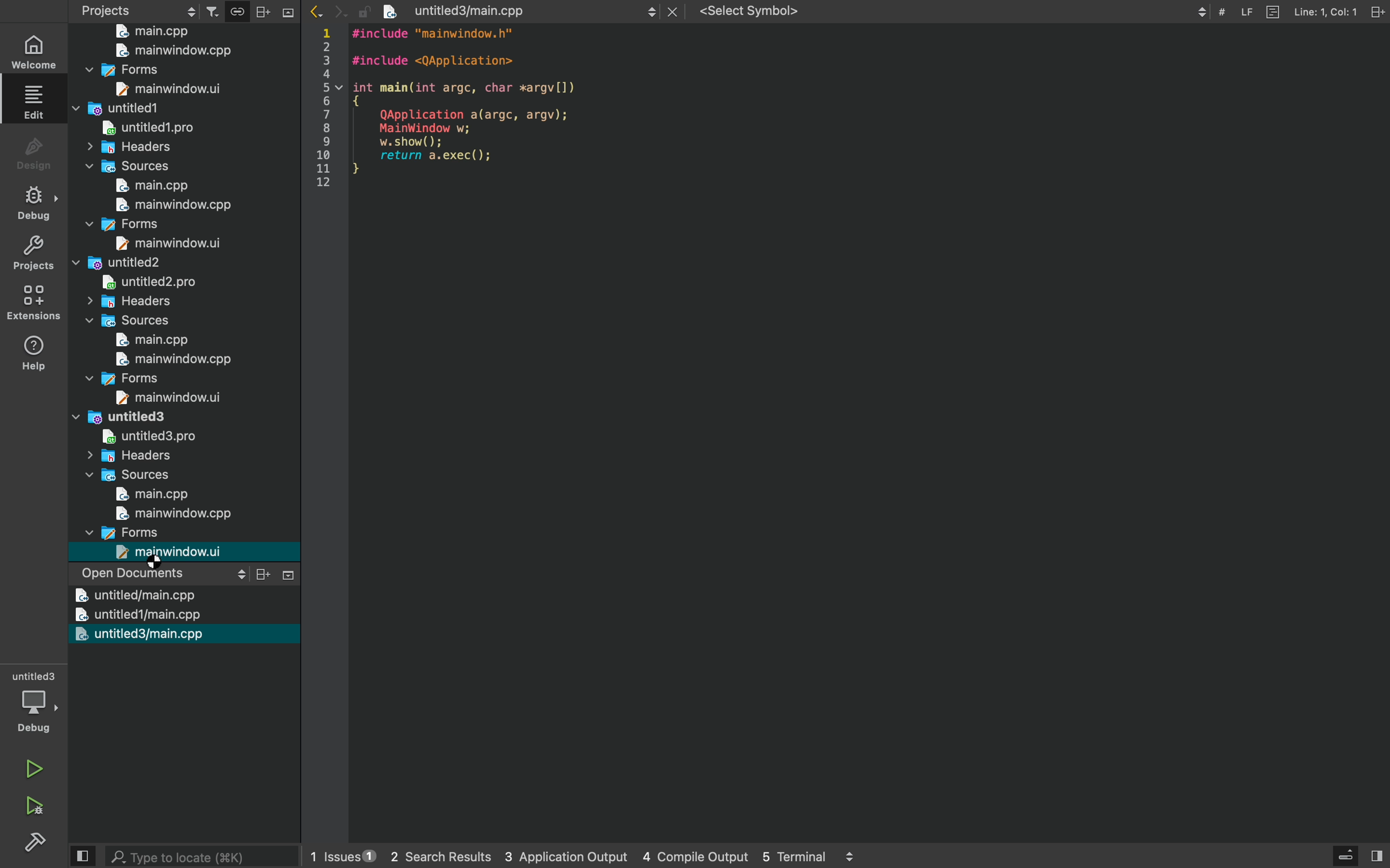  What do you see at coordinates (148, 108) in the screenshot?
I see `mainwindow` at bounding box center [148, 108].